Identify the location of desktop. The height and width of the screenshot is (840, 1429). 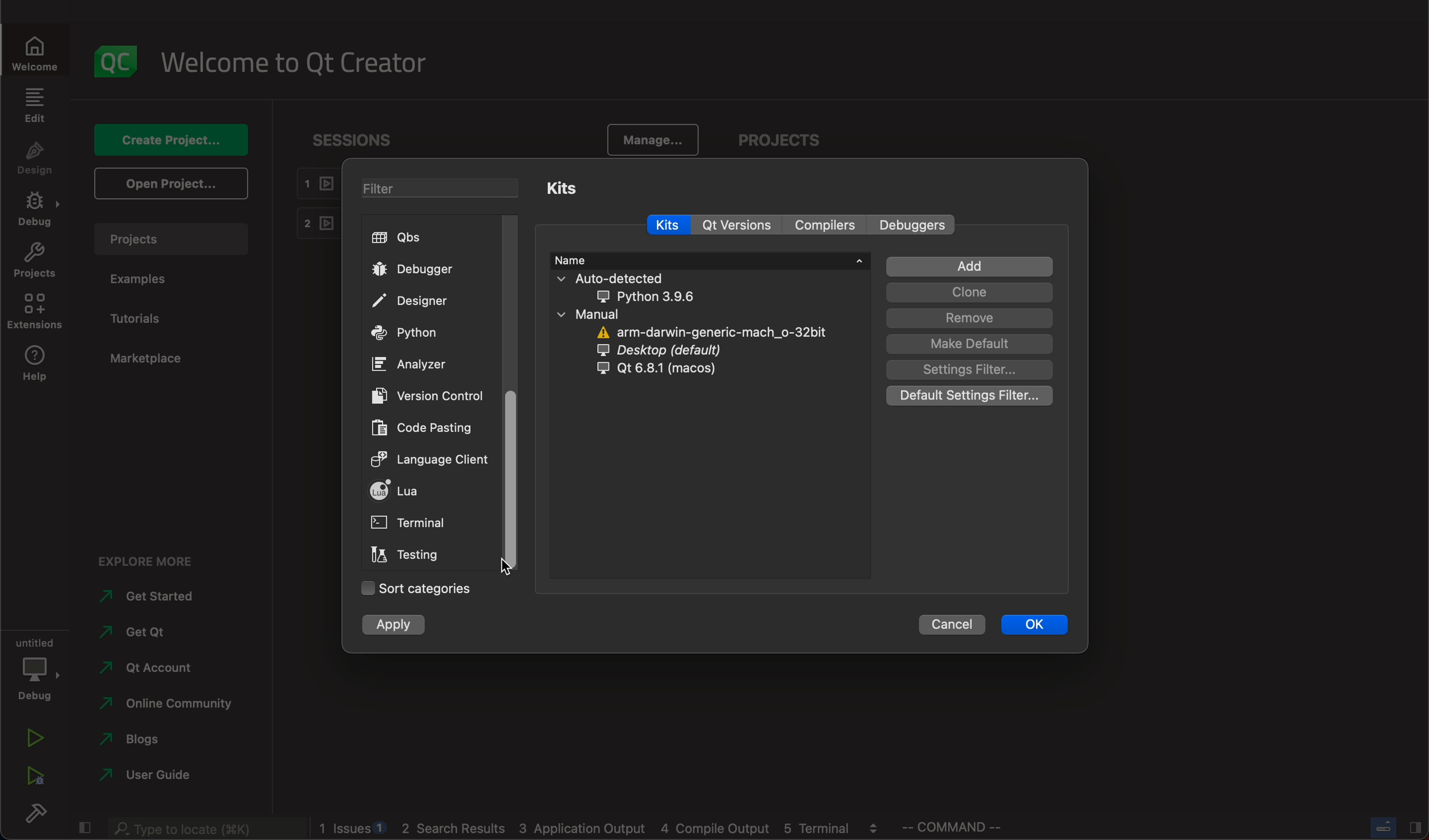
(683, 351).